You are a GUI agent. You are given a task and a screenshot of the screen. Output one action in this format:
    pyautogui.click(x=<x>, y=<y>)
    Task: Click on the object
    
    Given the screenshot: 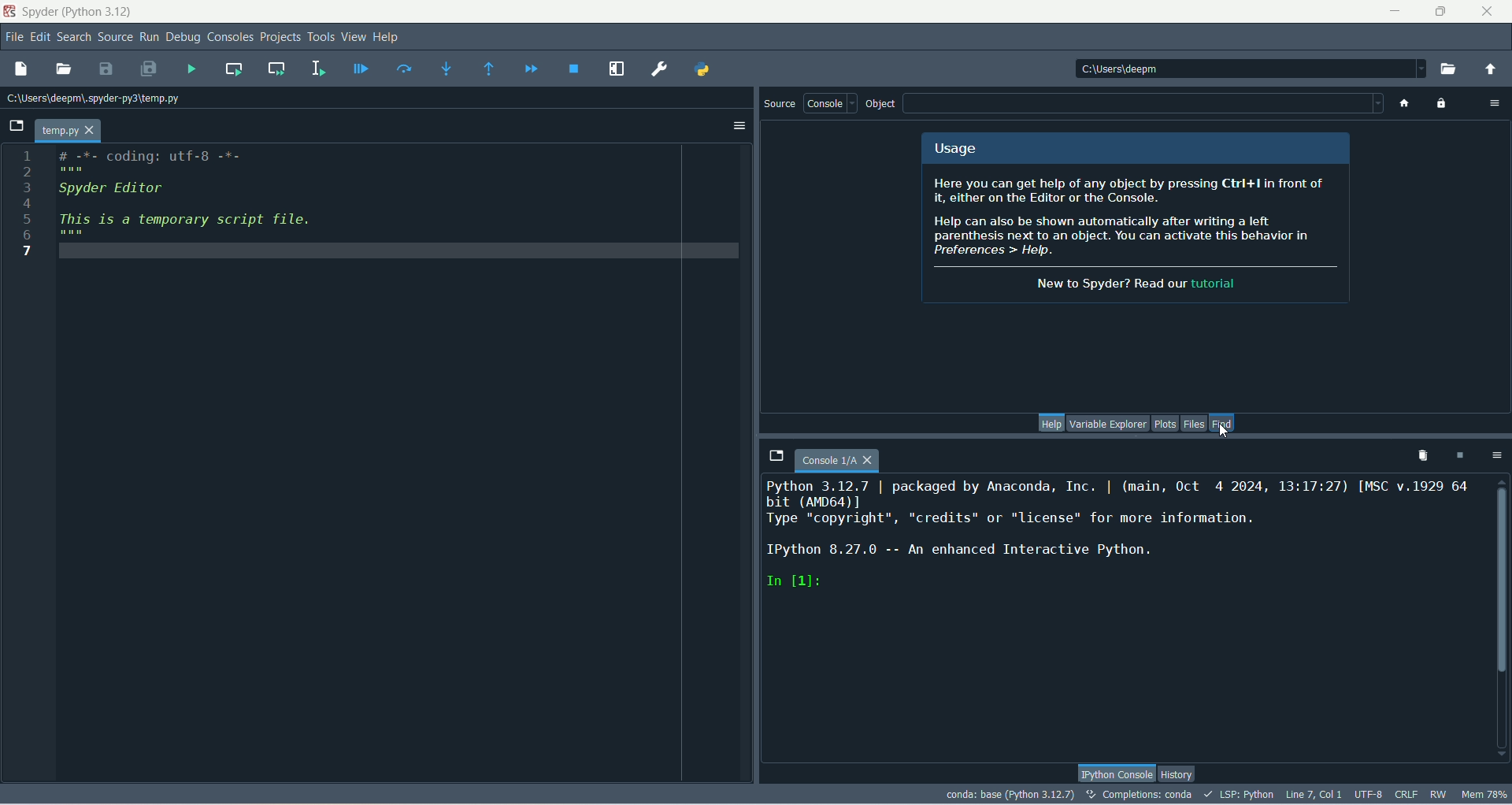 What is the action you would take?
    pyautogui.click(x=881, y=105)
    